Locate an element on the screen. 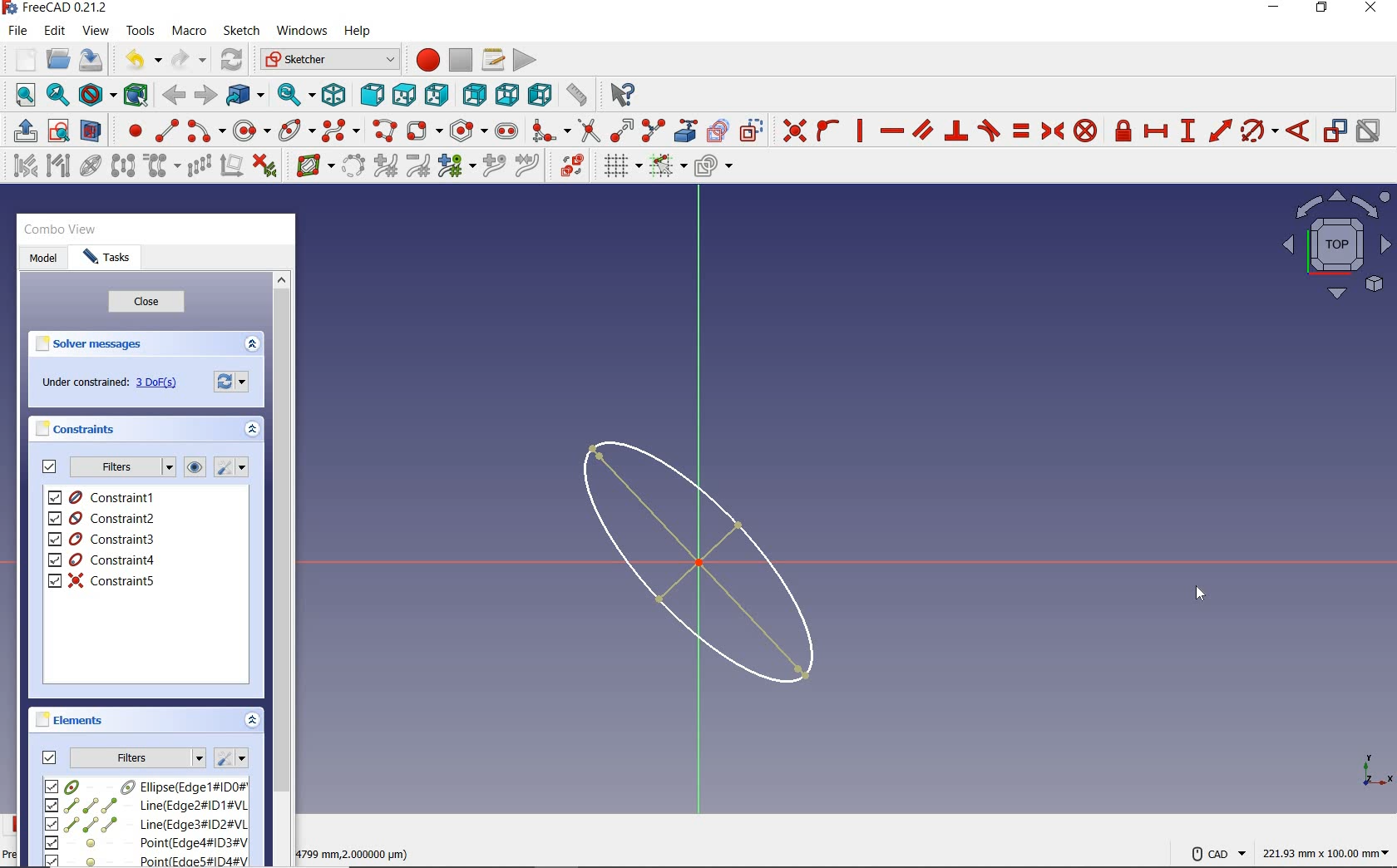  constrain horizontally is located at coordinates (891, 131).